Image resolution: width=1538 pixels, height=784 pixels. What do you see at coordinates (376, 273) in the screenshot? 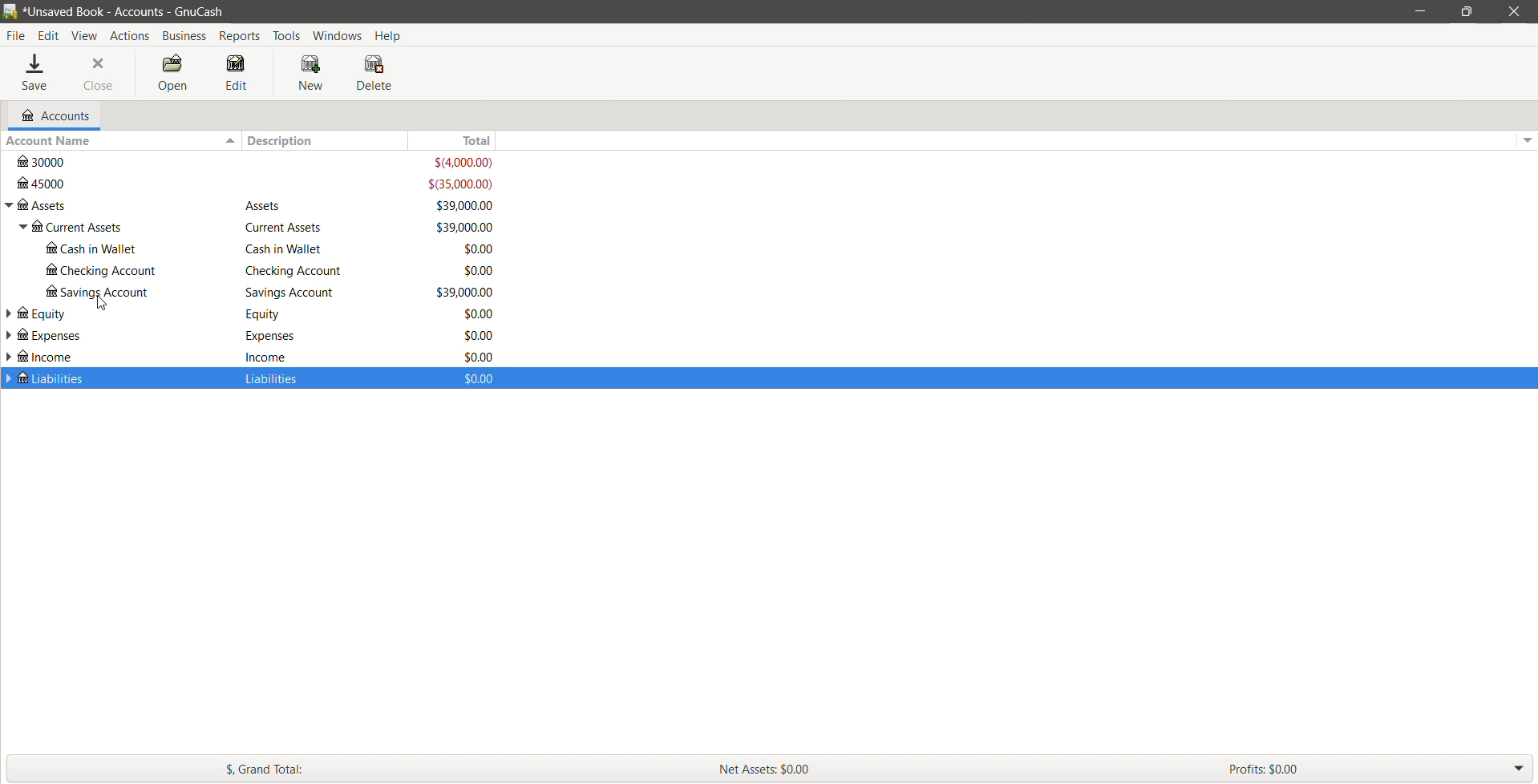
I see `Checking Account - Total Amount available ` at bounding box center [376, 273].